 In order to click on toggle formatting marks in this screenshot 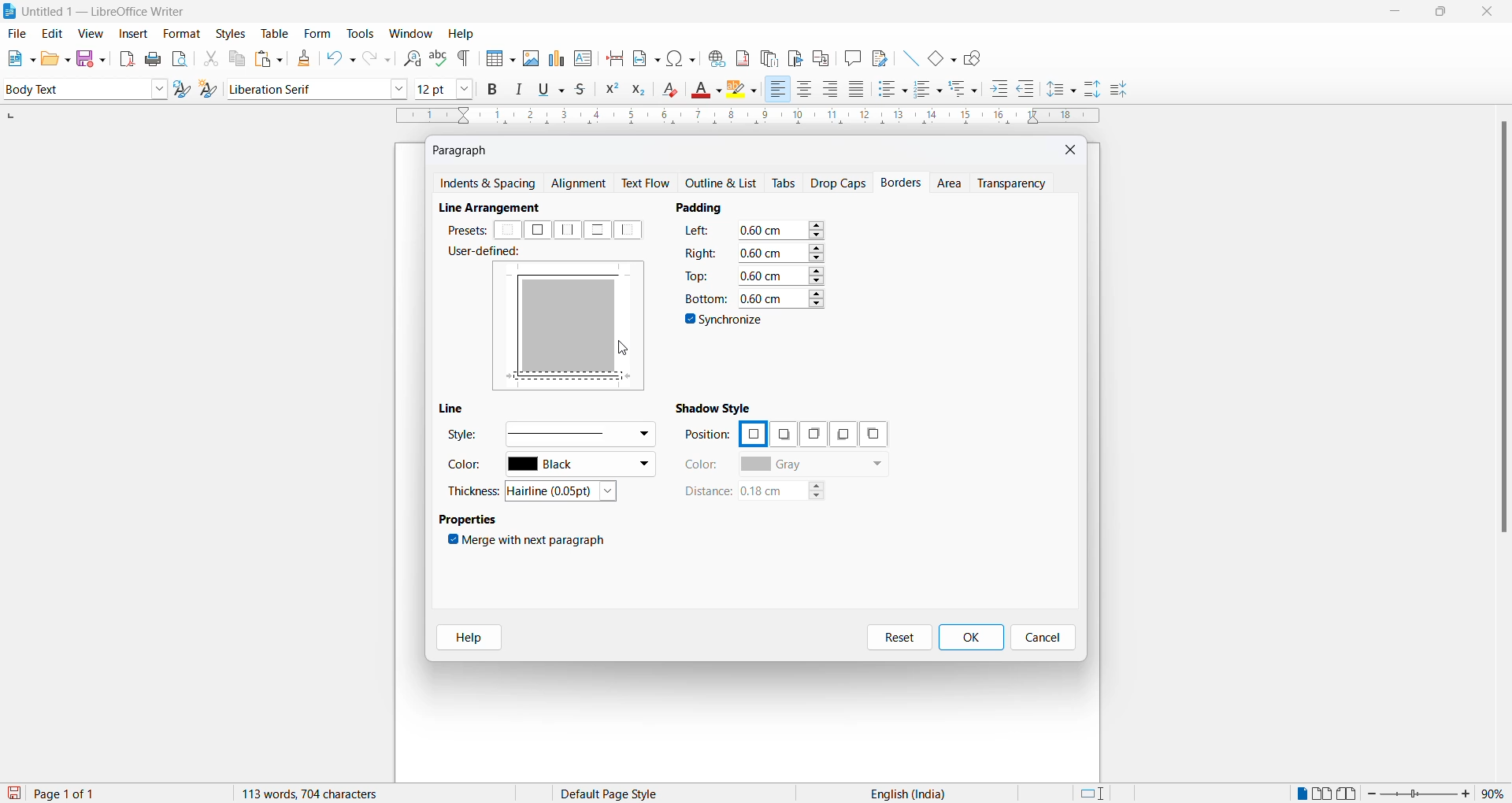, I will do `click(465, 58)`.